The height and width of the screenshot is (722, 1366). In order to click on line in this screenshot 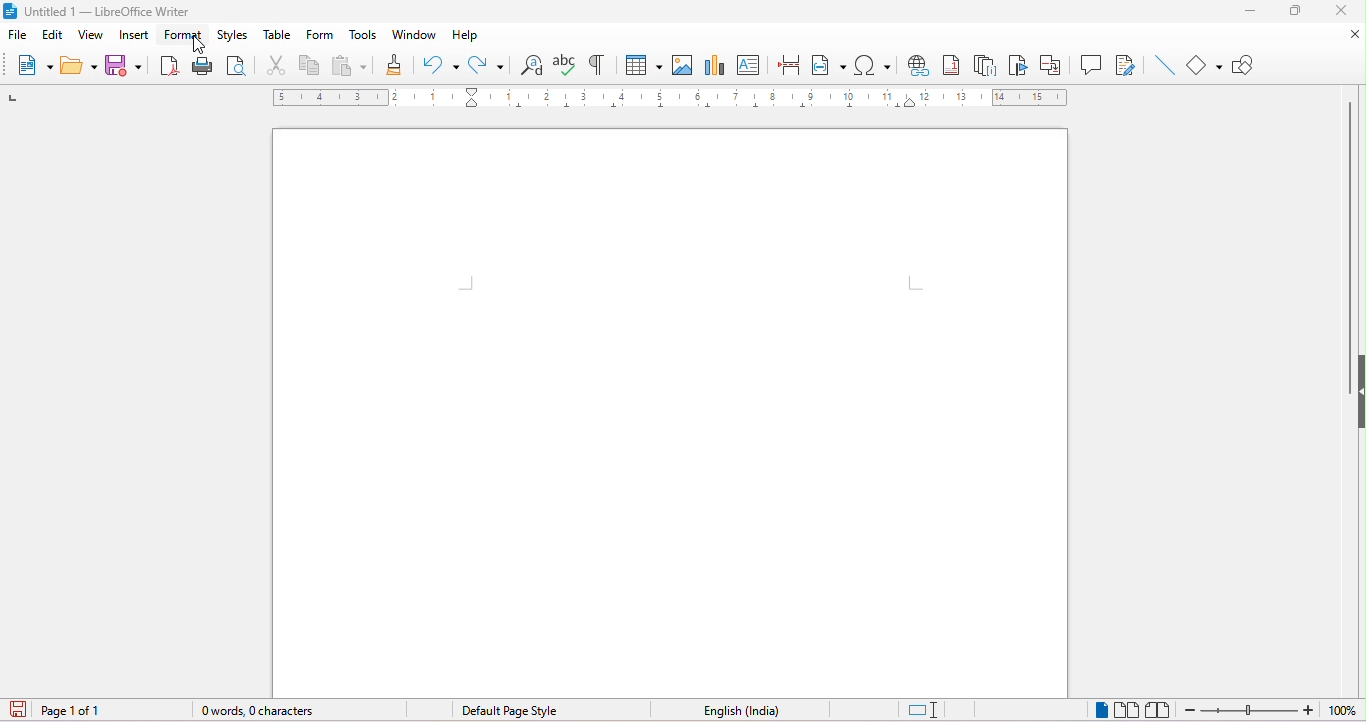, I will do `click(1162, 64)`.